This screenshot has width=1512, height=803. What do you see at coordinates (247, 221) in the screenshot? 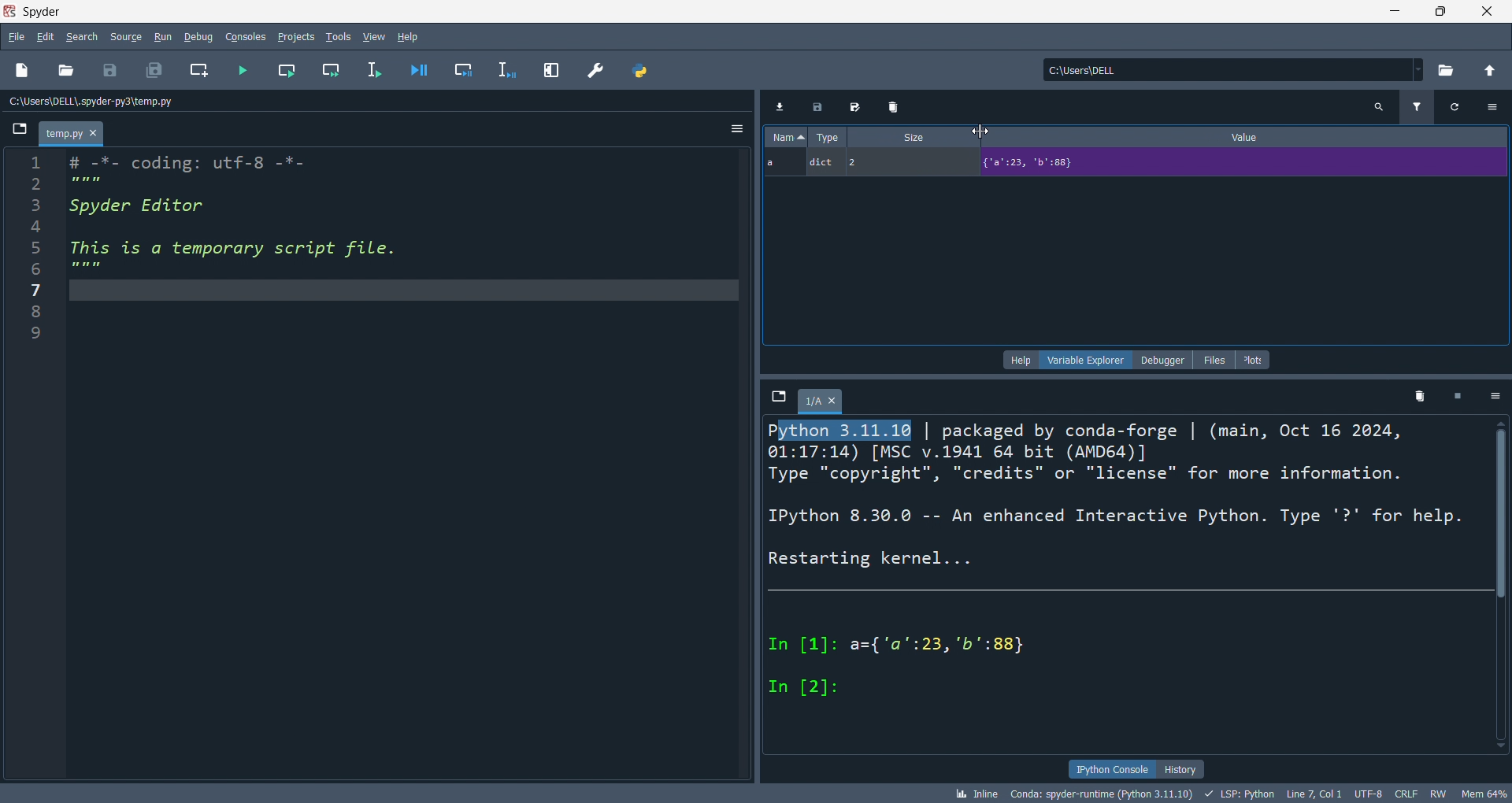
I see `PERT rata
Spyder Editor
This is a temporary script file.
________________` at bounding box center [247, 221].